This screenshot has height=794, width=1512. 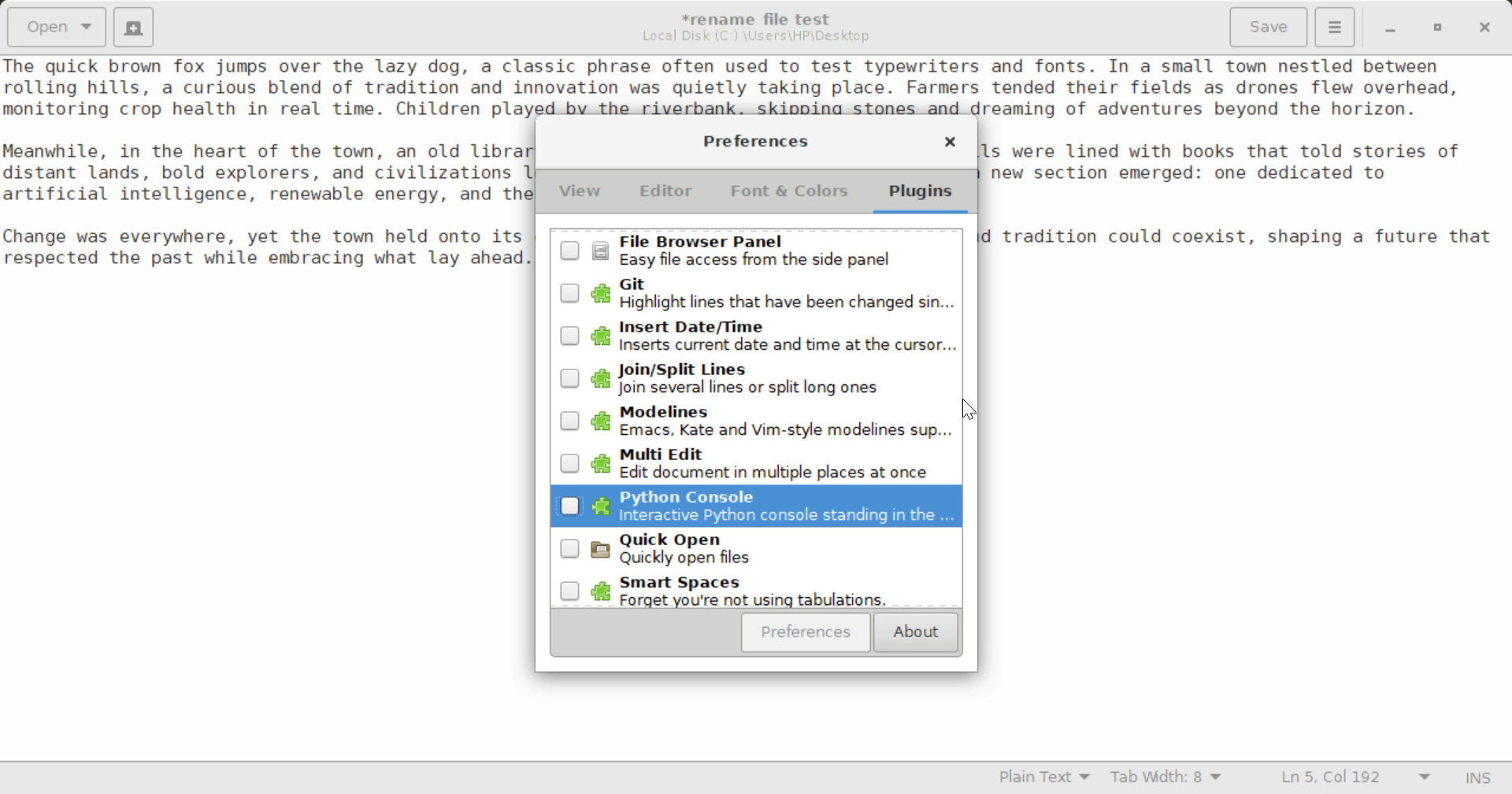 What do you see at coordinates (753, 333) in the screenshot?
I see `Unselected Insert Date/Time Plugin` at bounding box center [753, 333].